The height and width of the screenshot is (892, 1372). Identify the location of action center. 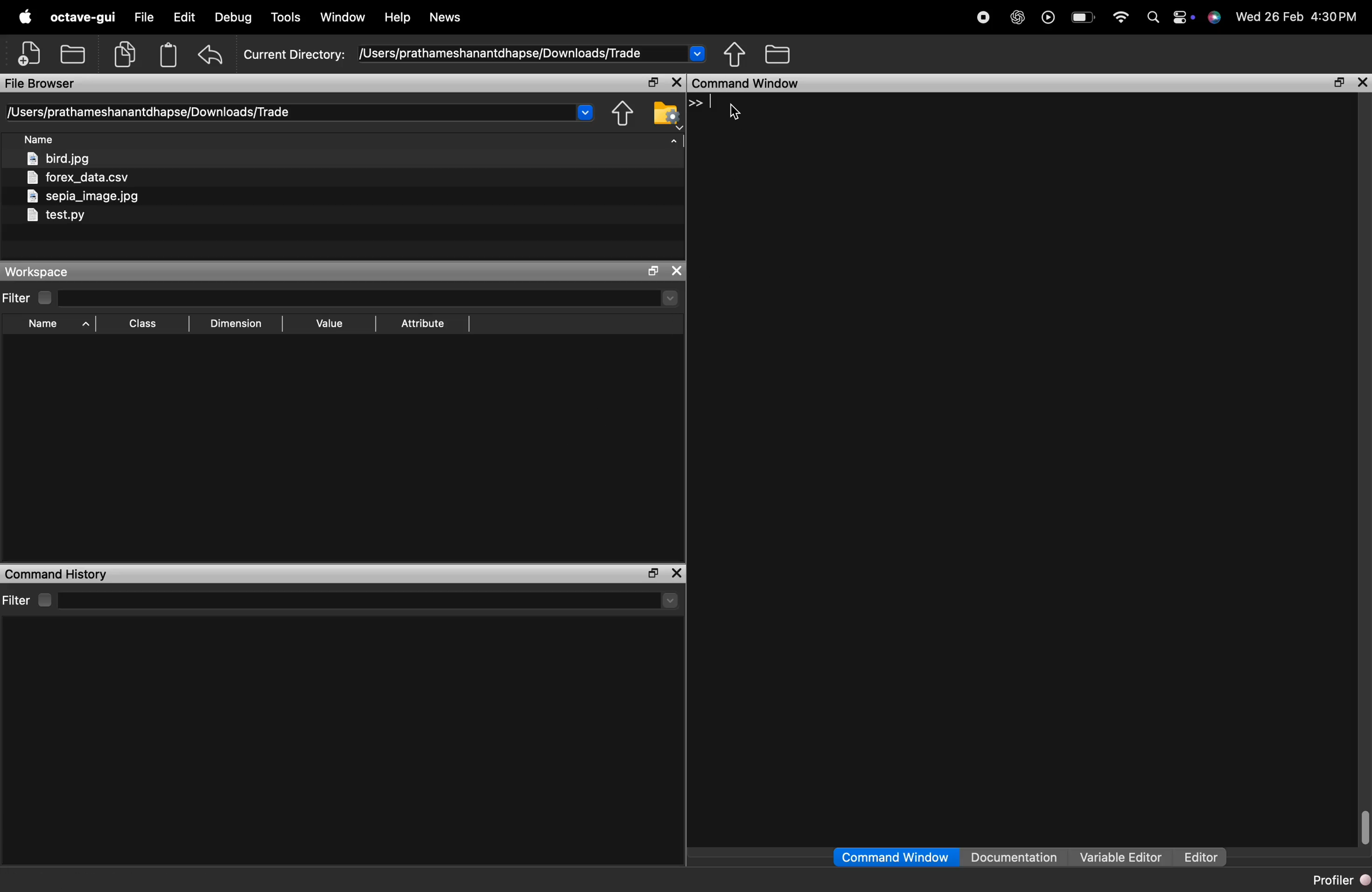
(1185, 17).